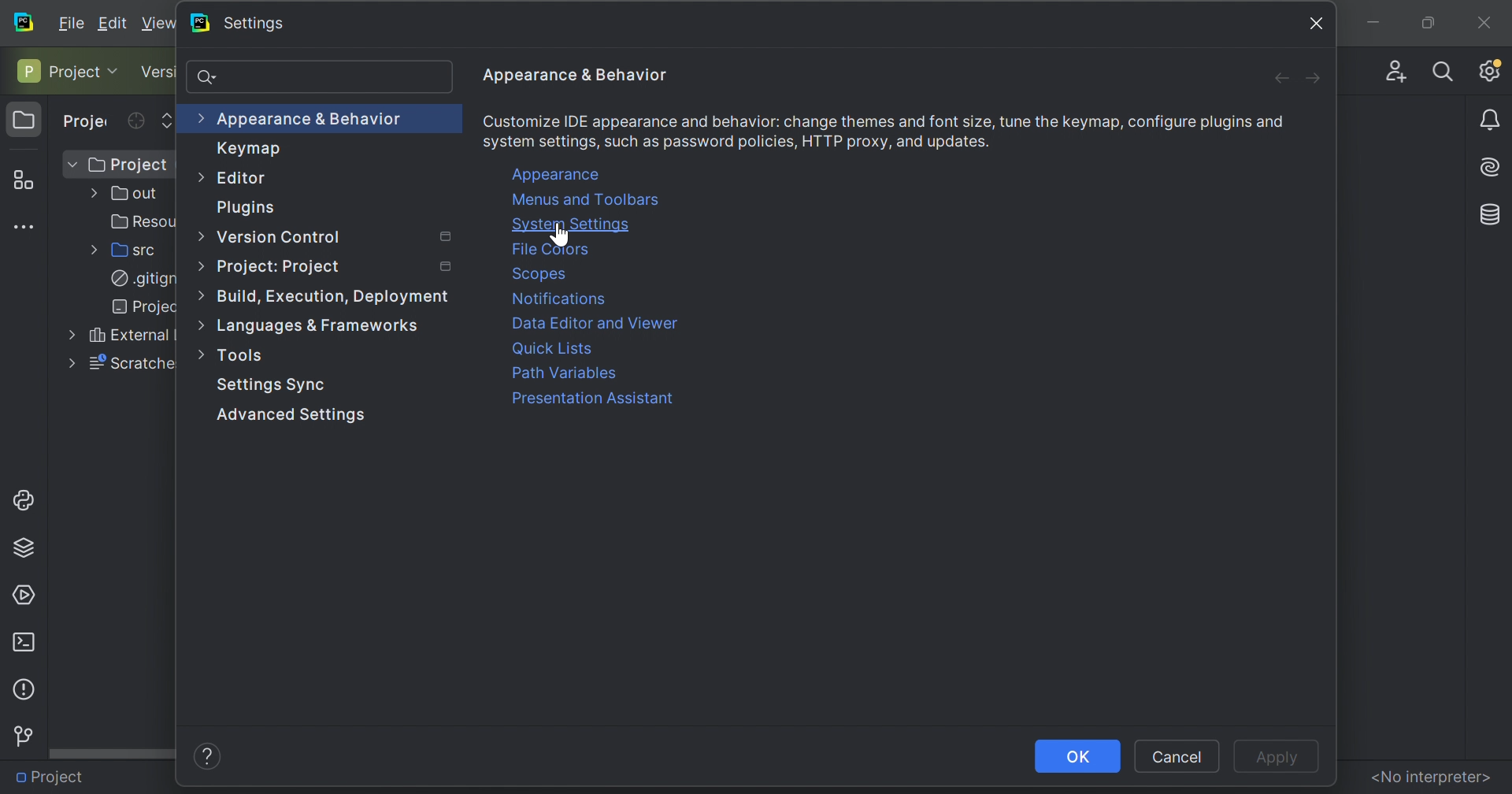 The image size is (1512, 794). What do you see at coordinates (27, 499) in the screenshot?
I see `Python console` at bounding box center [27, 499].